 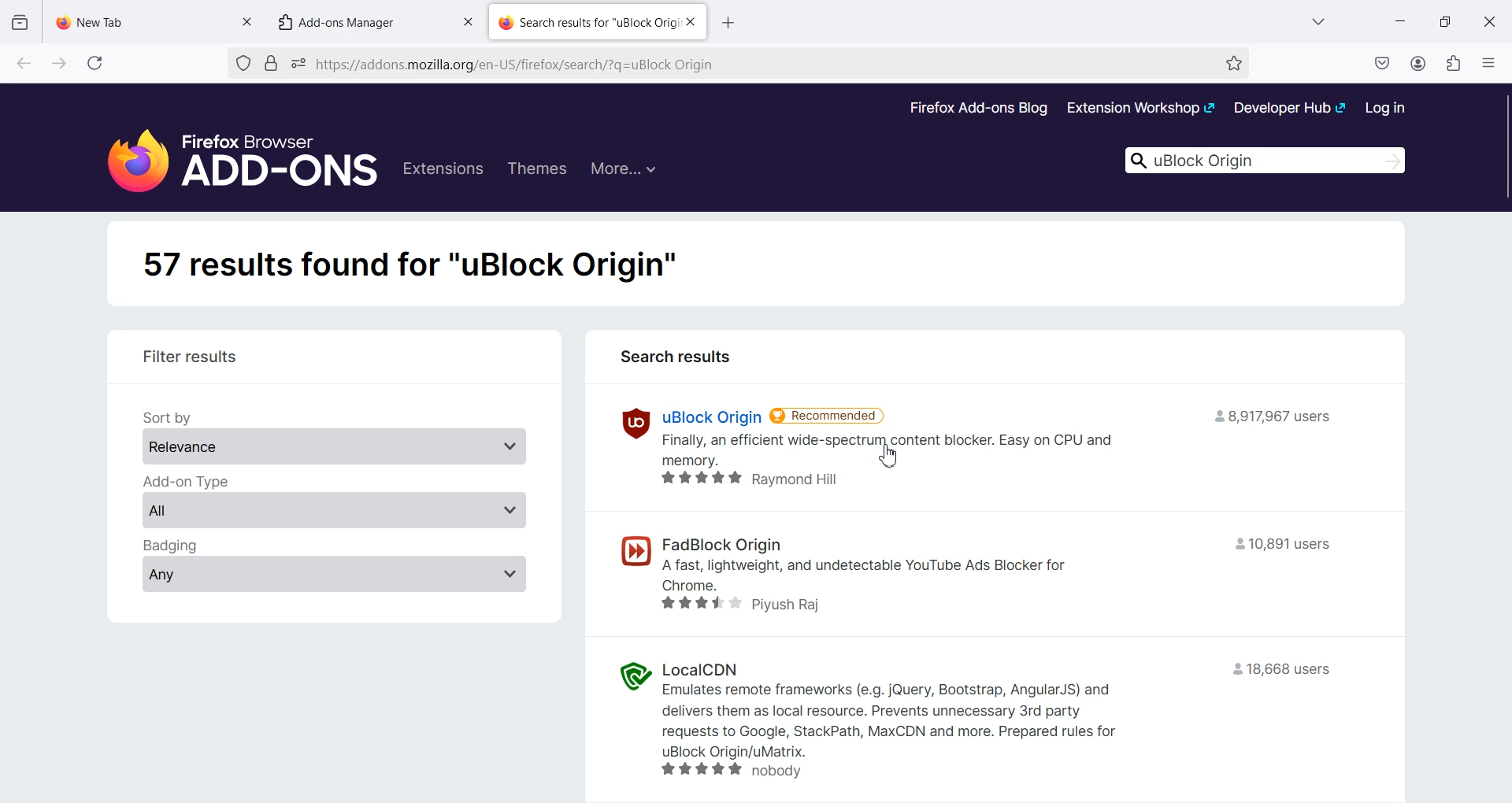 I want to click on 10,891 users, so click(x=1280, y=545).